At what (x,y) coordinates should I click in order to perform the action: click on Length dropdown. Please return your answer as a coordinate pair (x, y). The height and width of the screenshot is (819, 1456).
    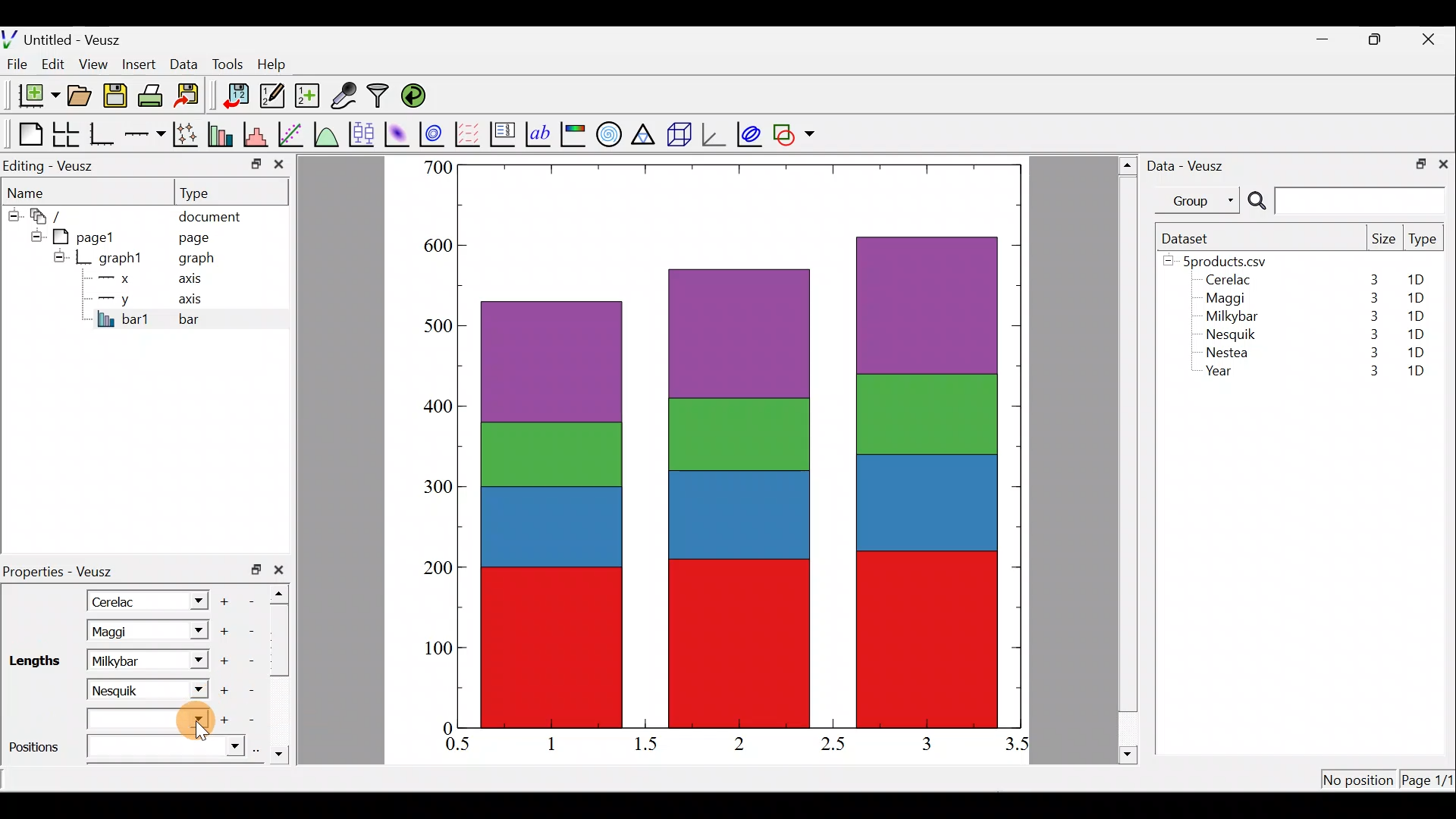
    Looking at the image, I should click on (194, 660).